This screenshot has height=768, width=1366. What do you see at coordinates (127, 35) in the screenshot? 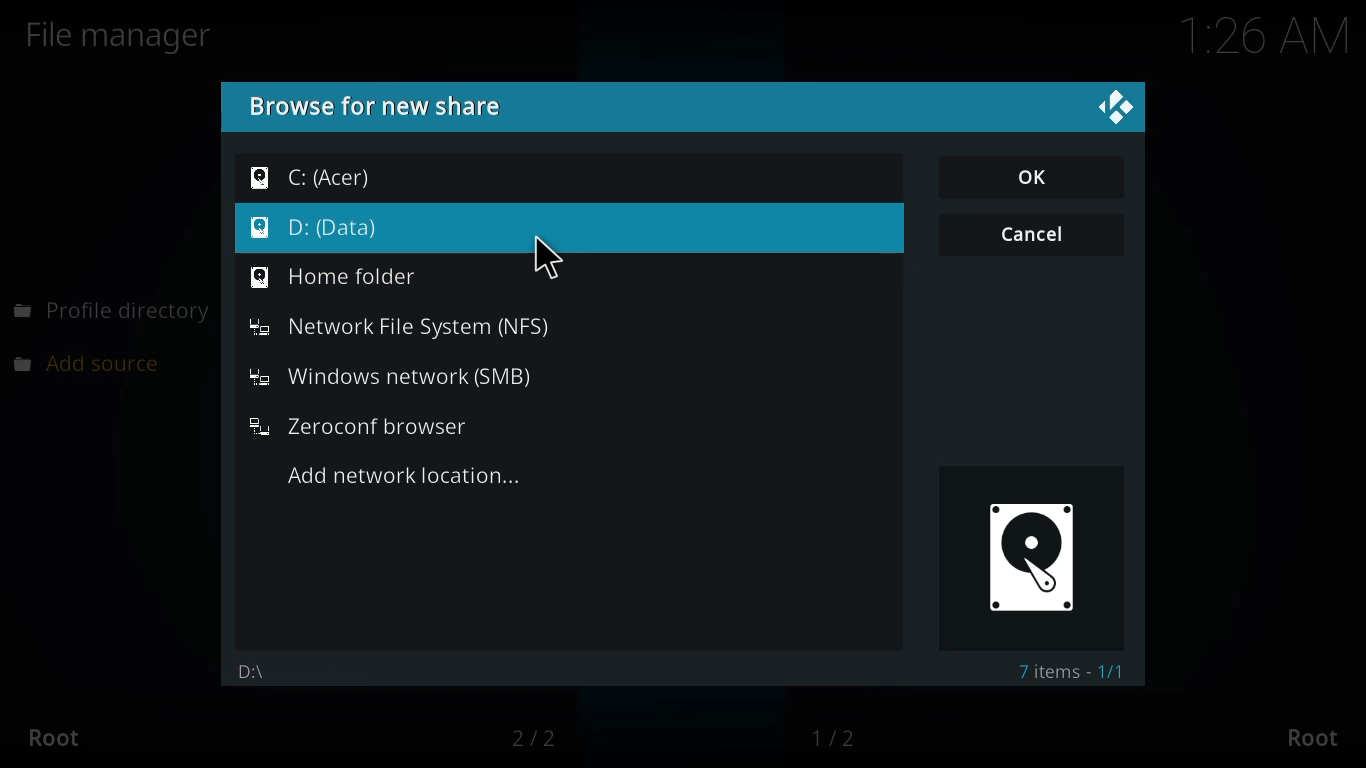
I see `file manager` at bounding box center [127, 35].